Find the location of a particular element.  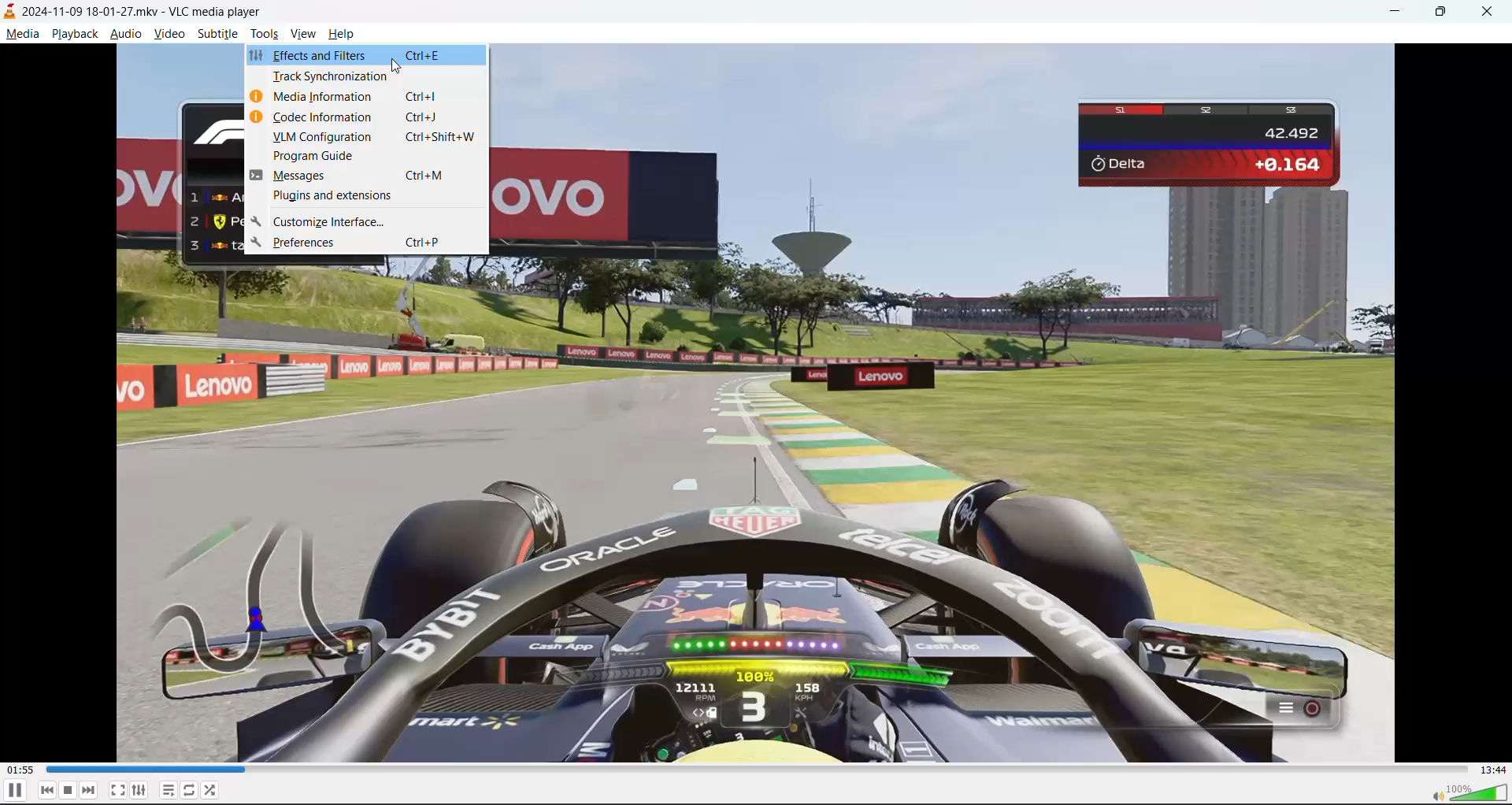

audio is located at coordinates (125, 35).